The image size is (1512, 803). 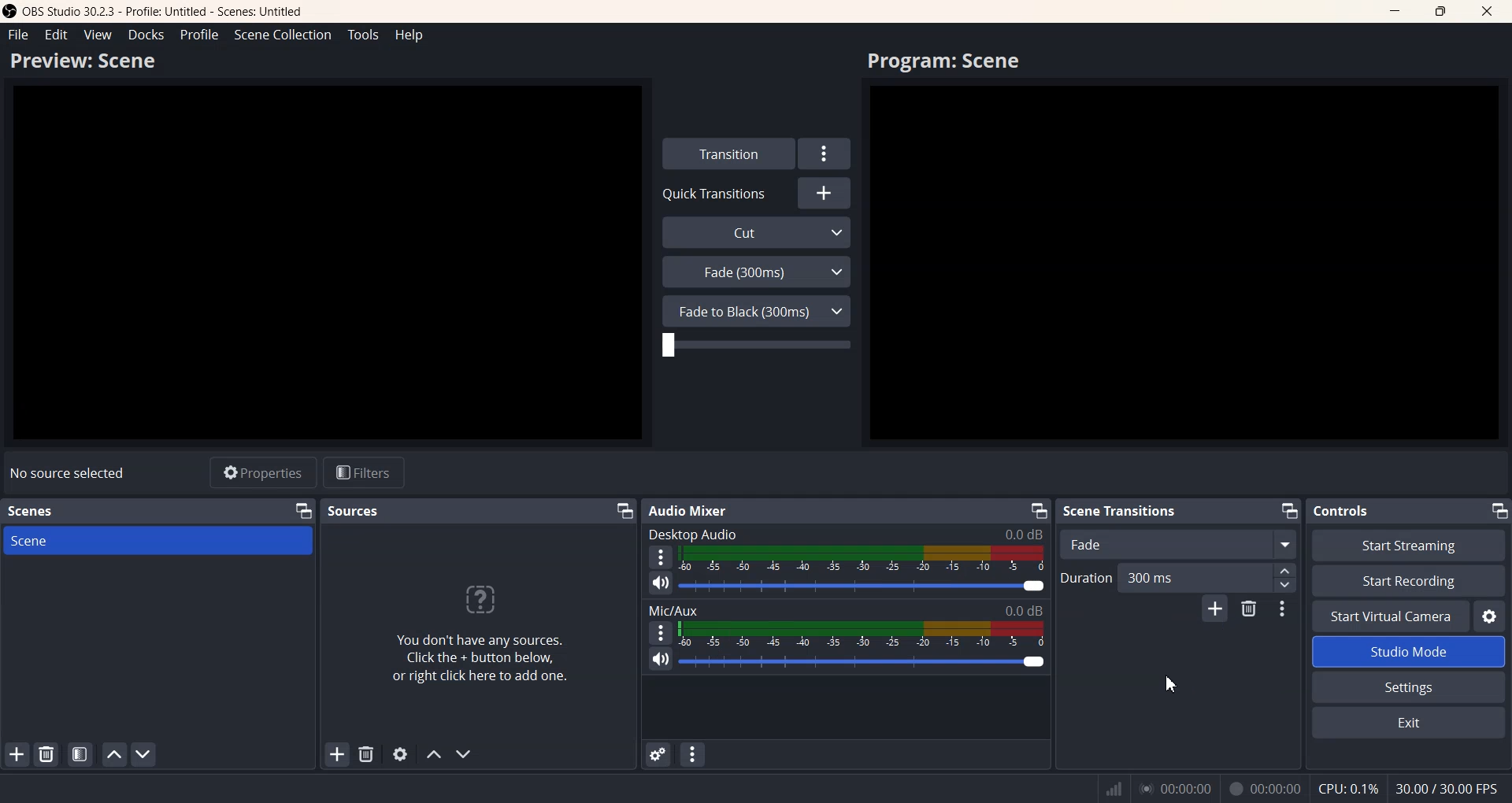 What do you see at coordinates (1492, 614) in the screenshot?
I see `Settings` at bounding box center [1492, 614].